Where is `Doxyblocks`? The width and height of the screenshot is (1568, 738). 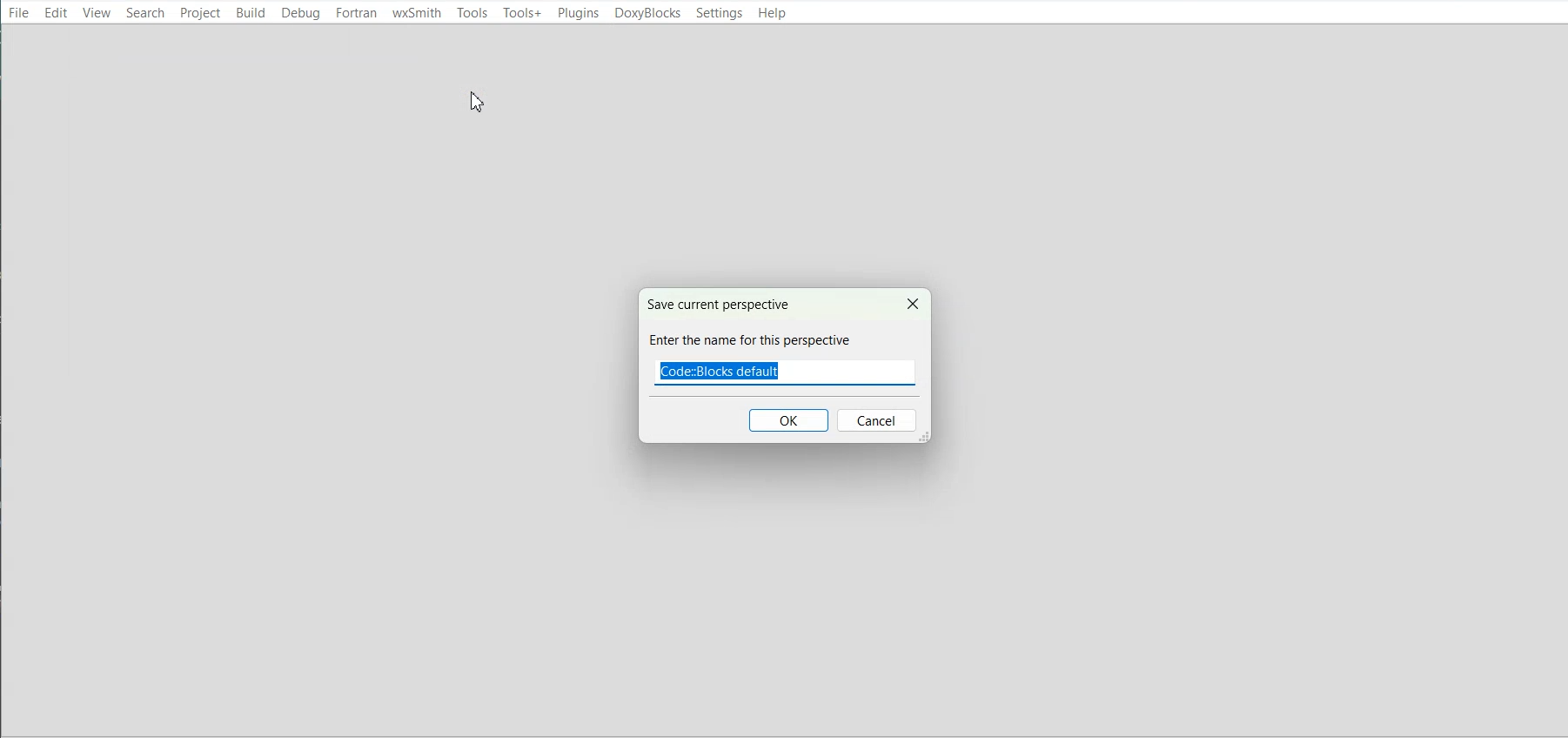
Doxyblocks is located at coordinates (647, 13).